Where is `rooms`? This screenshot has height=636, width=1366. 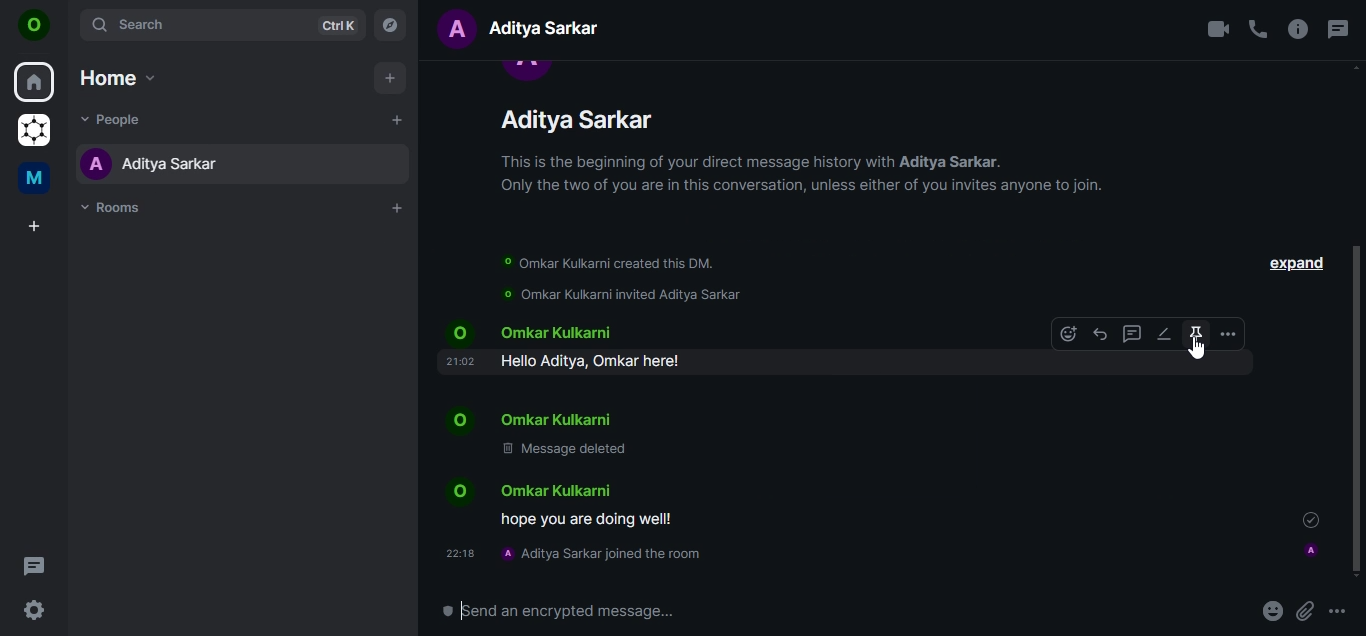
rooms is located at coordinates (120, 209).